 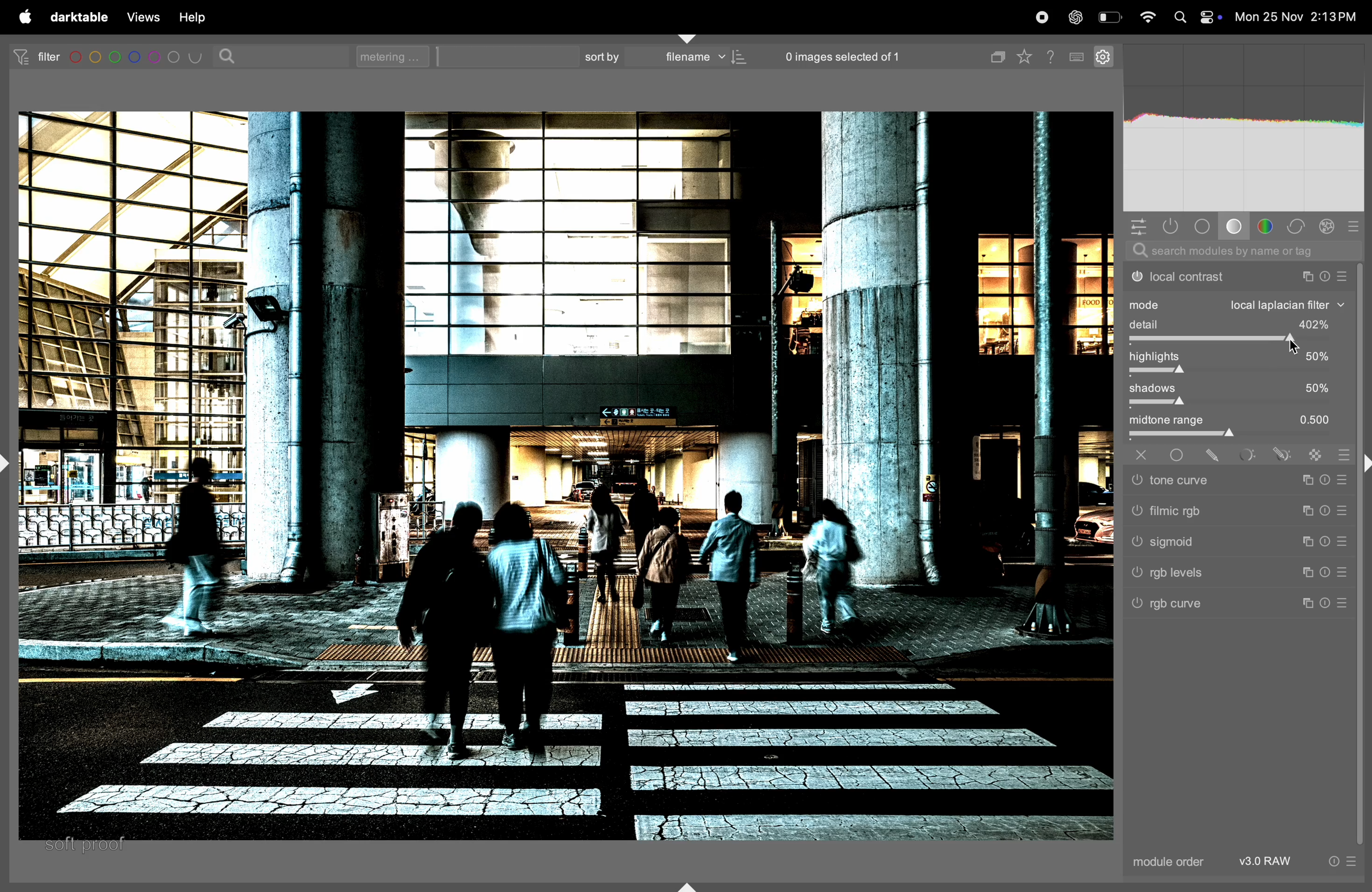 I want to click on tone curve, so click(x=1229, y=481).